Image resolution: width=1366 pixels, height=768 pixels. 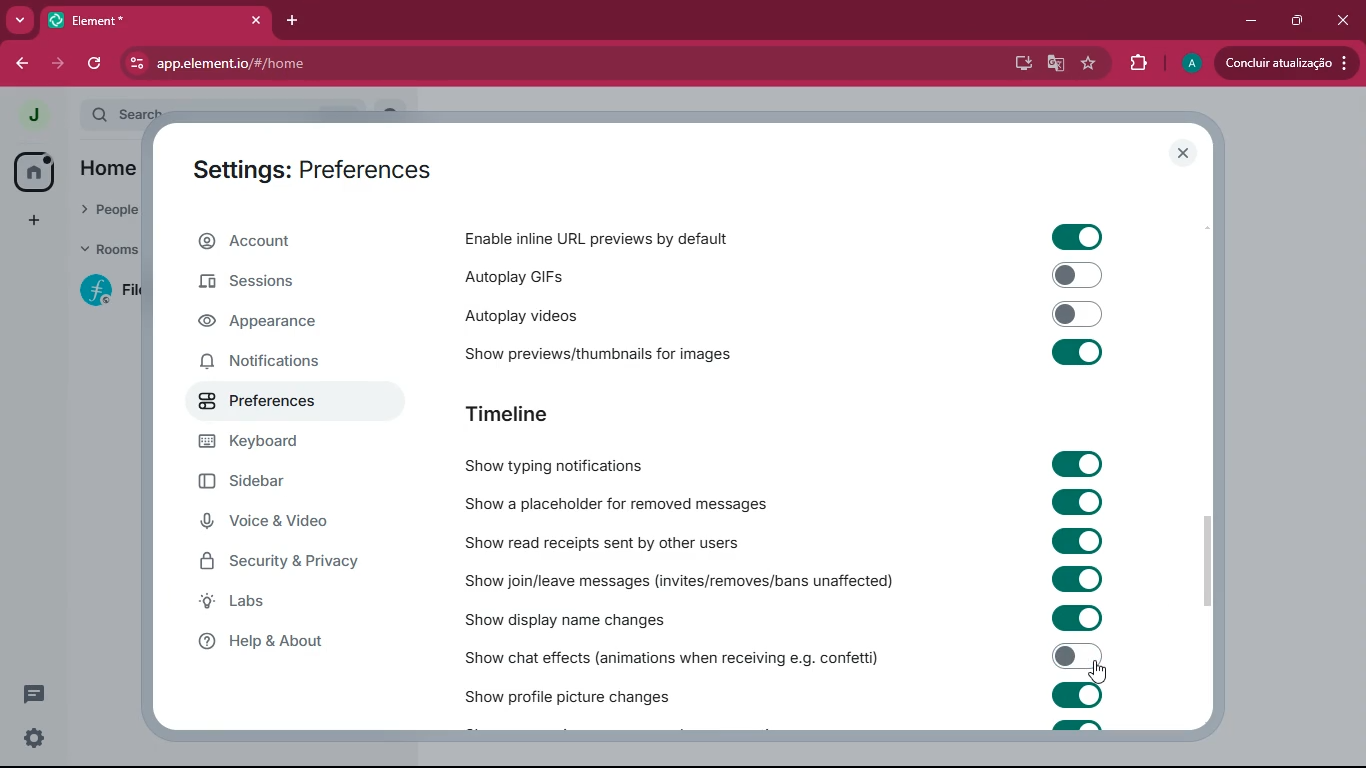 What do you see at coordinates (342, 62) in the screenshot?
I see `app.element.io/#/home` at bounding box center [342, 62].